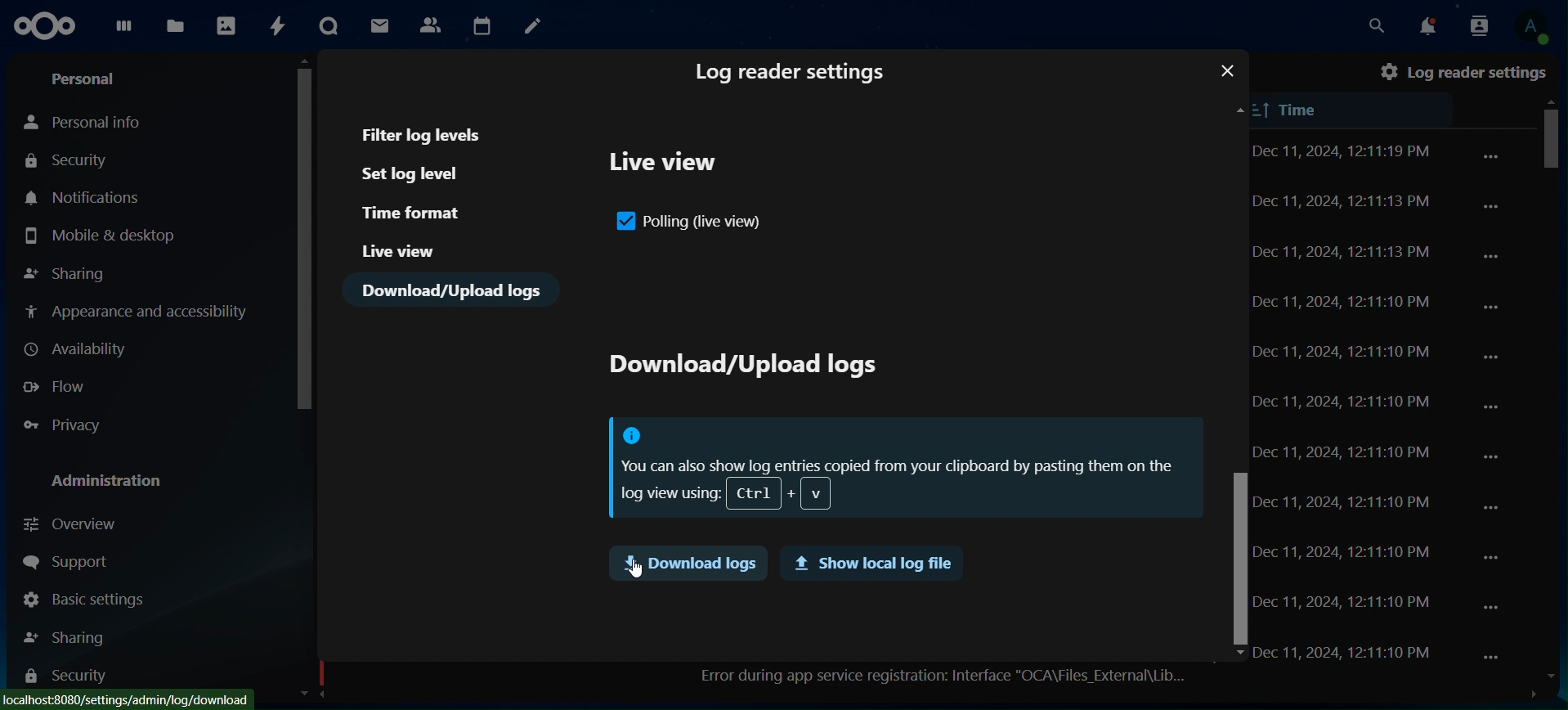 The width and height of the screenshot is (1568, 710). What do you see at coordinates (1530, 28) in the screenshot?
I see `view profile` at bounding box center [1530, 28].